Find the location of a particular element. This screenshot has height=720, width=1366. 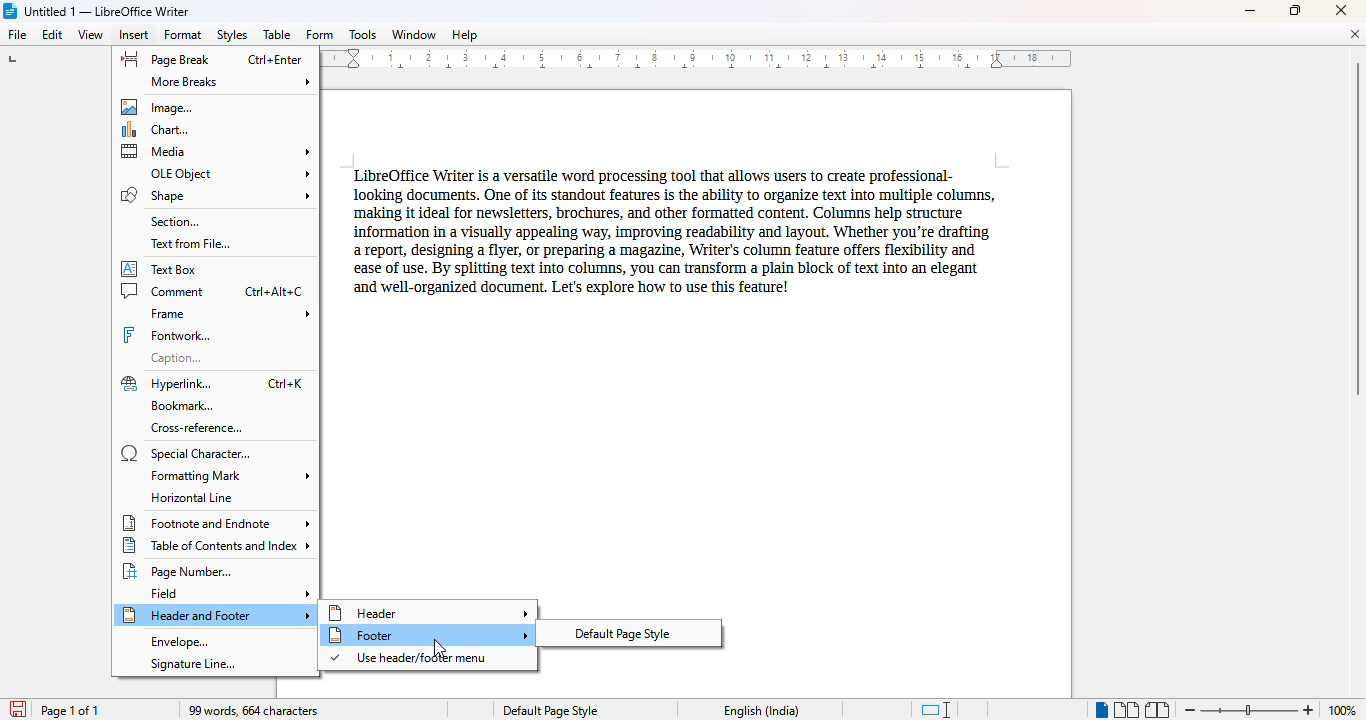

zoomout is located at coordinates (1189, 708).